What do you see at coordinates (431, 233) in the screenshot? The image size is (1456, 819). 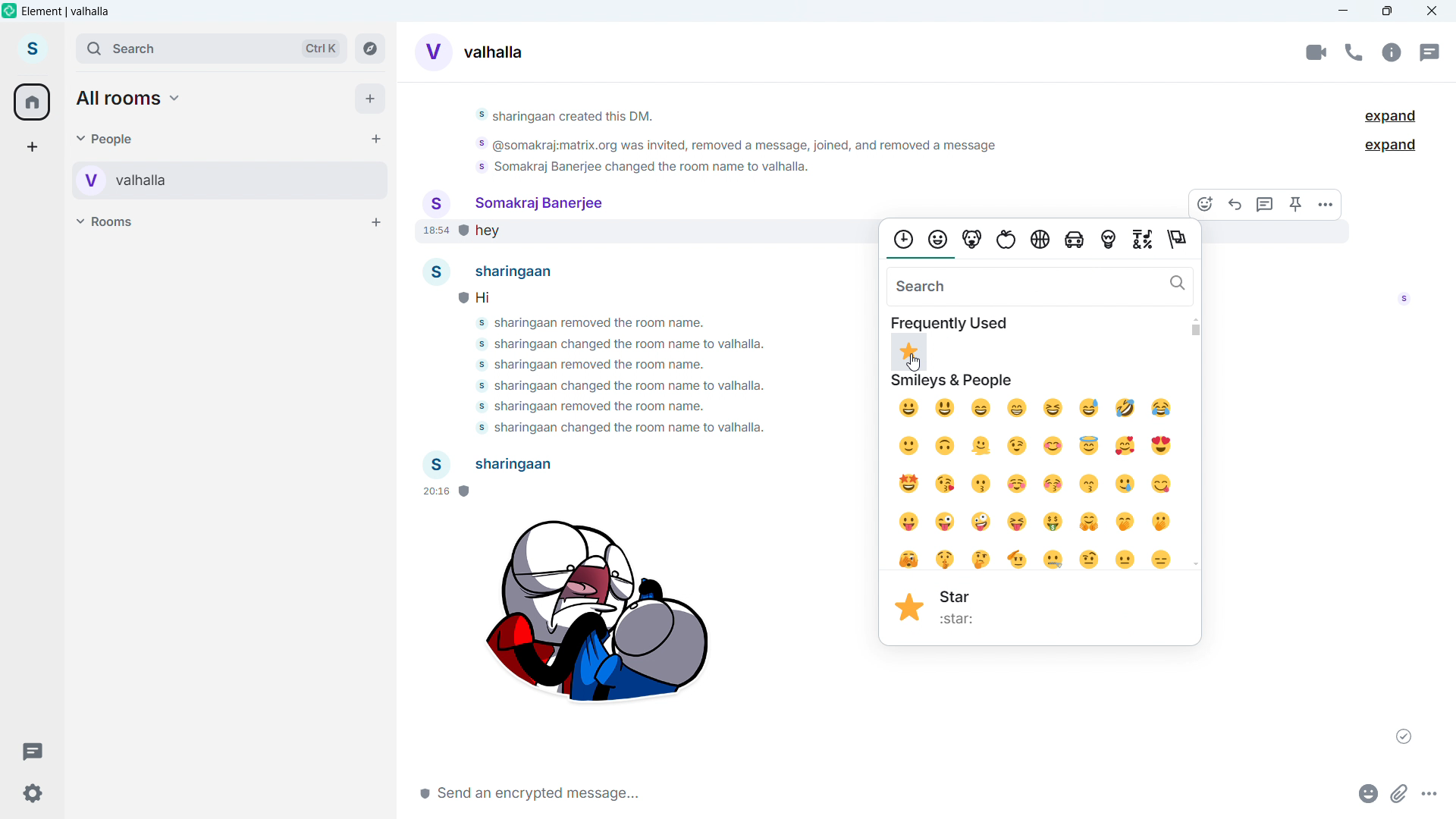 I see `time of sending message` at bounding box center [431, 233].